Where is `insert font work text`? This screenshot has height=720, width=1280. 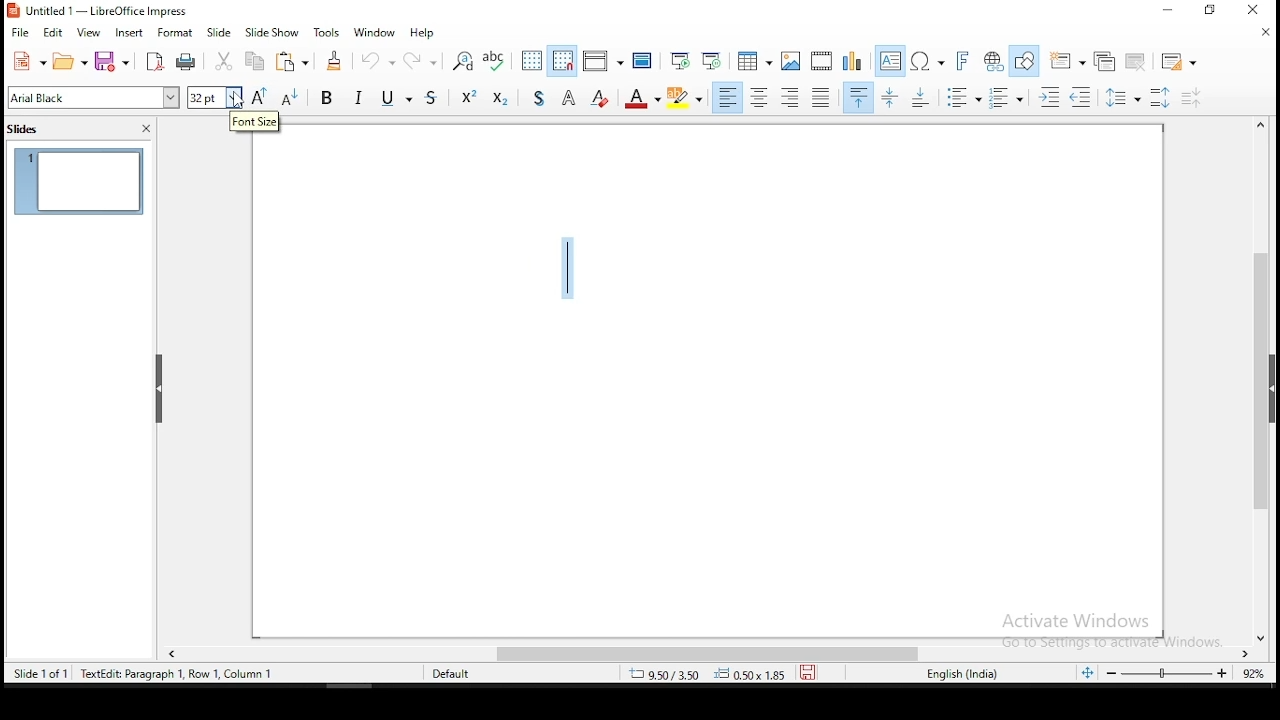 insert font work text is located at coordinates (963, 61).